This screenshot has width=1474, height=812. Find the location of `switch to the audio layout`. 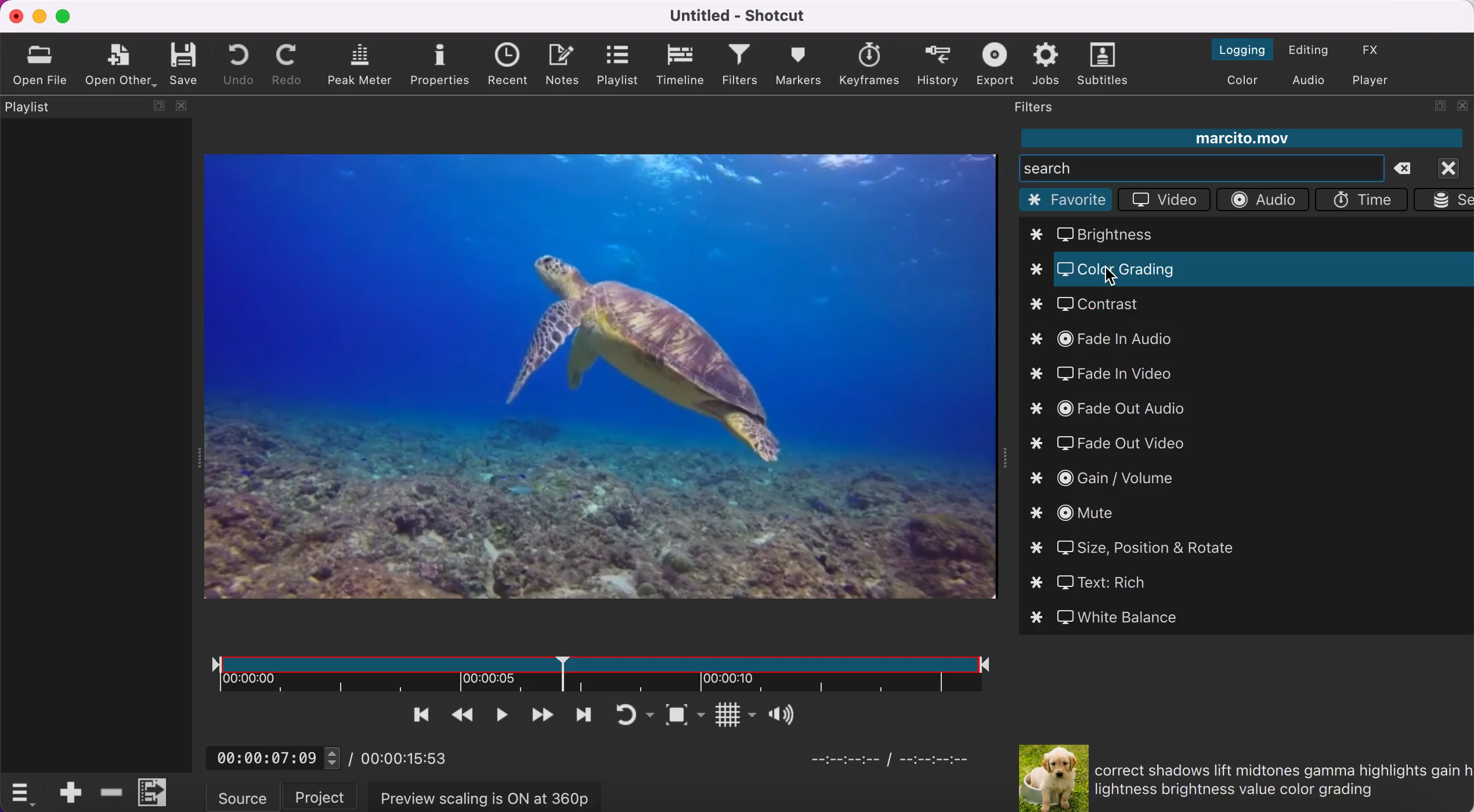

switch to the audio layout is located at coordinates (1309, 80).